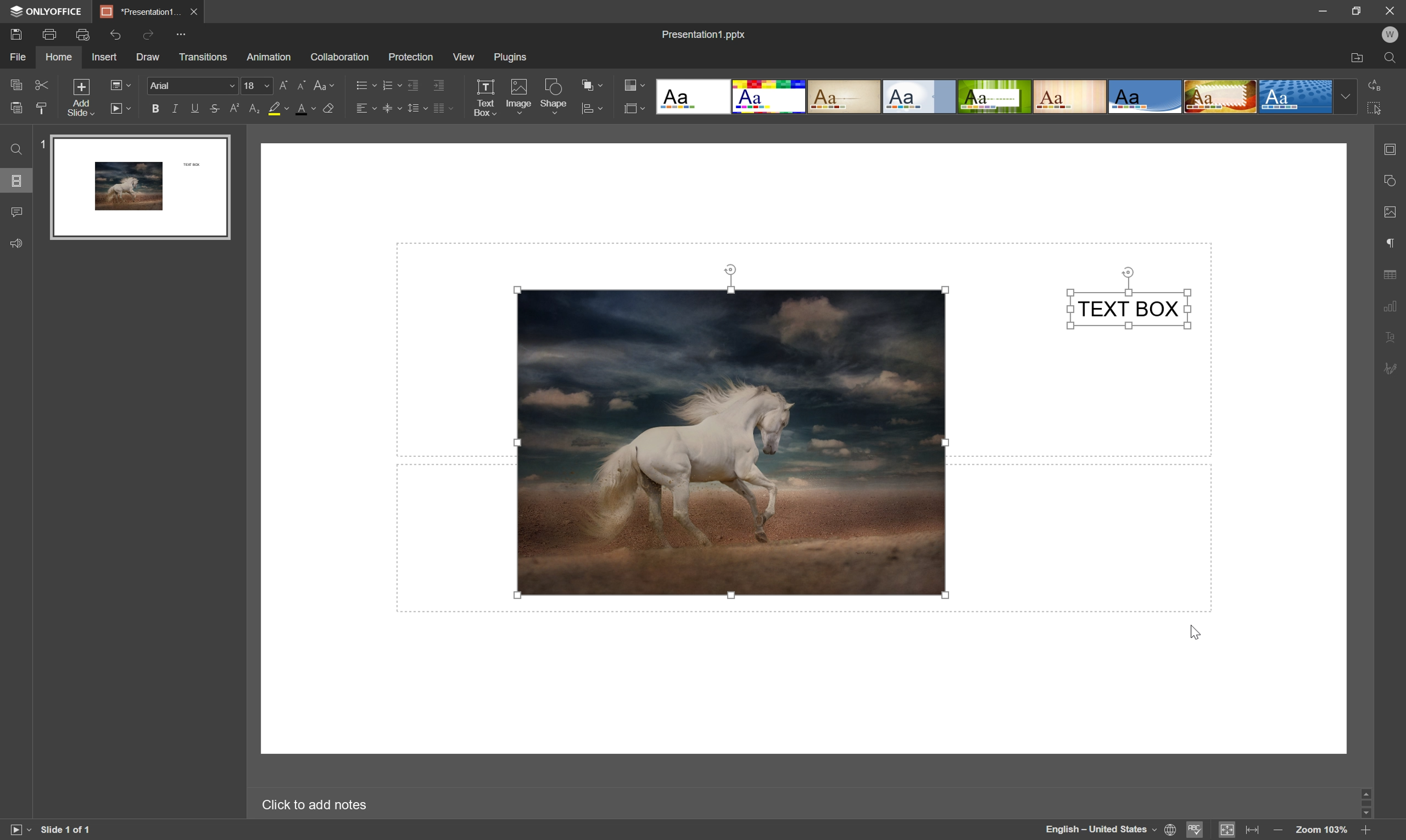  I want to click on shape, so click(554, 96).